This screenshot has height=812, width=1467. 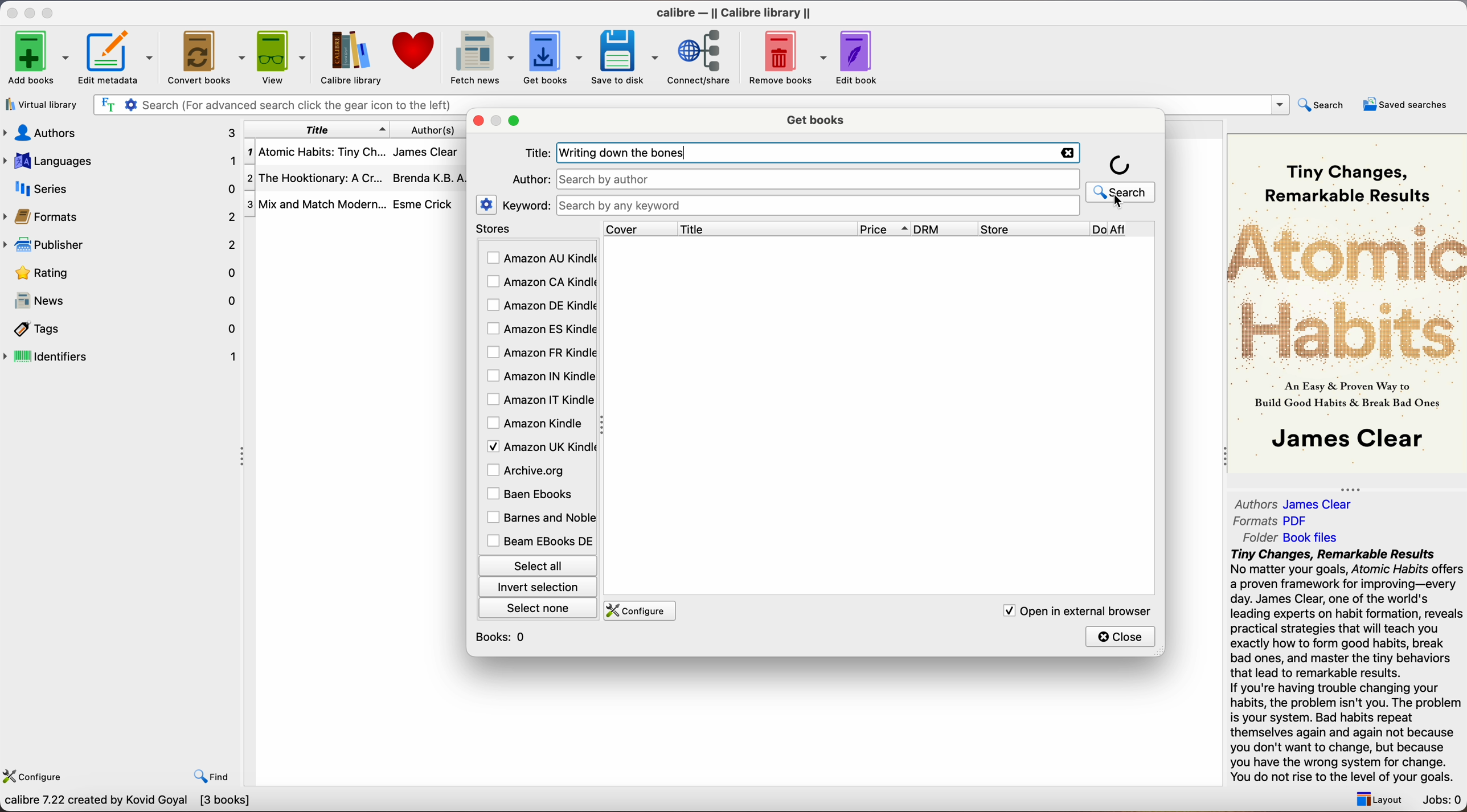 What do you see at coordinates (1405, 104) in the screenshot?
I see `saved searches` at bounding box center [1405, 104].